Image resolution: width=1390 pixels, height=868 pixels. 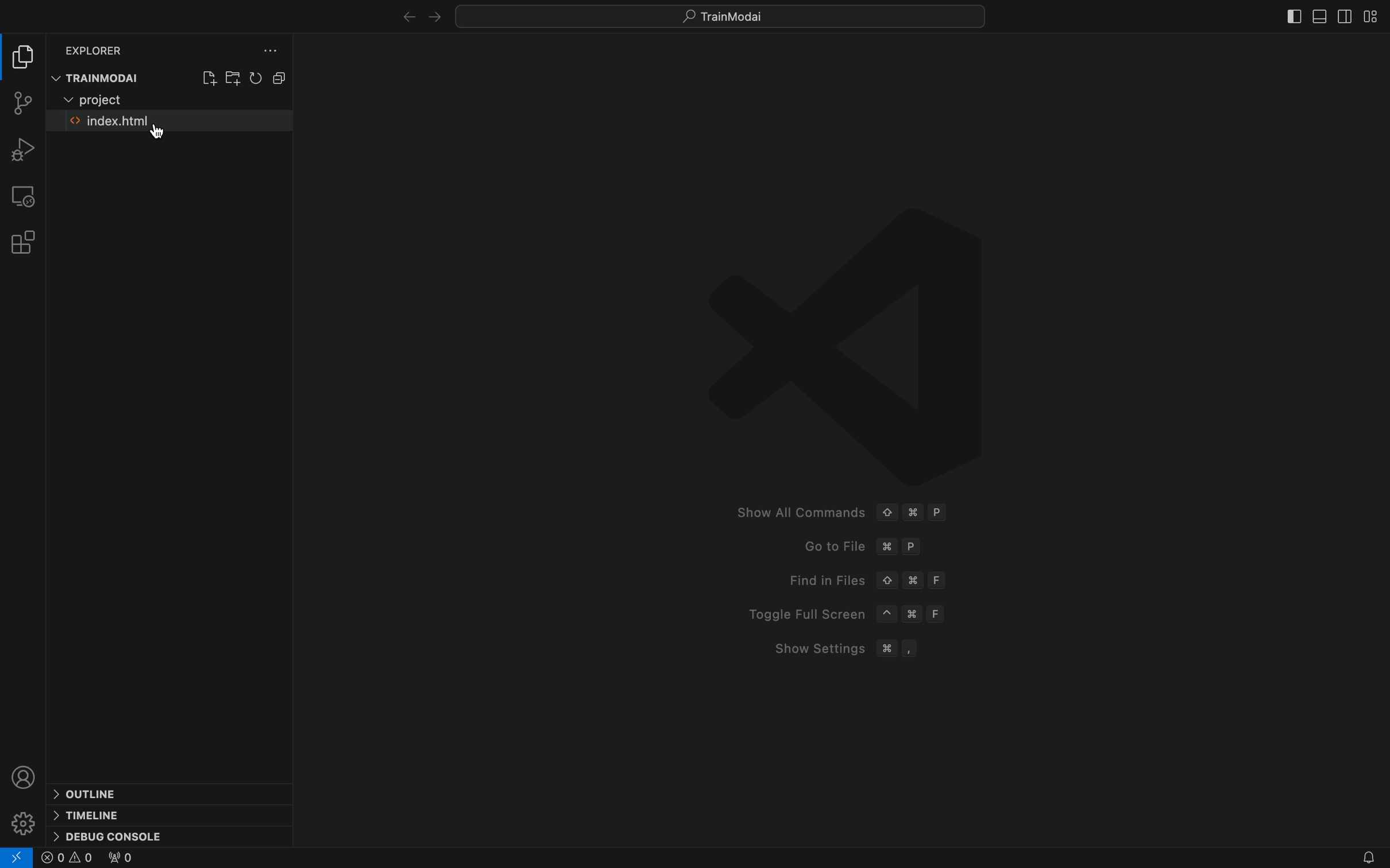 I want to click on extensions, so click(x=25, y=241).